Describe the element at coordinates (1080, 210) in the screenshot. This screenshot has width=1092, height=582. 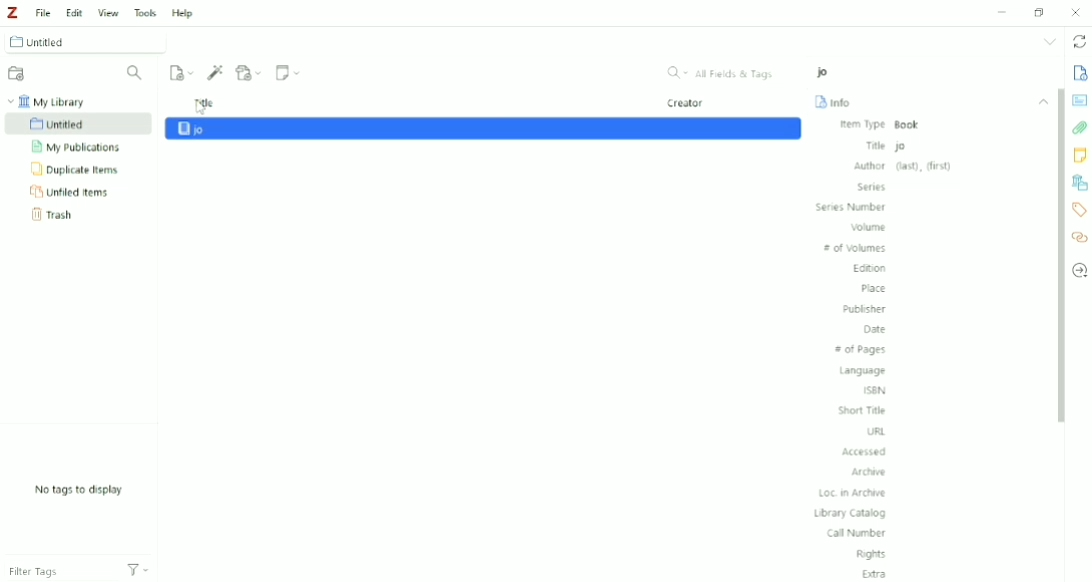
I see `Tags` at that location.